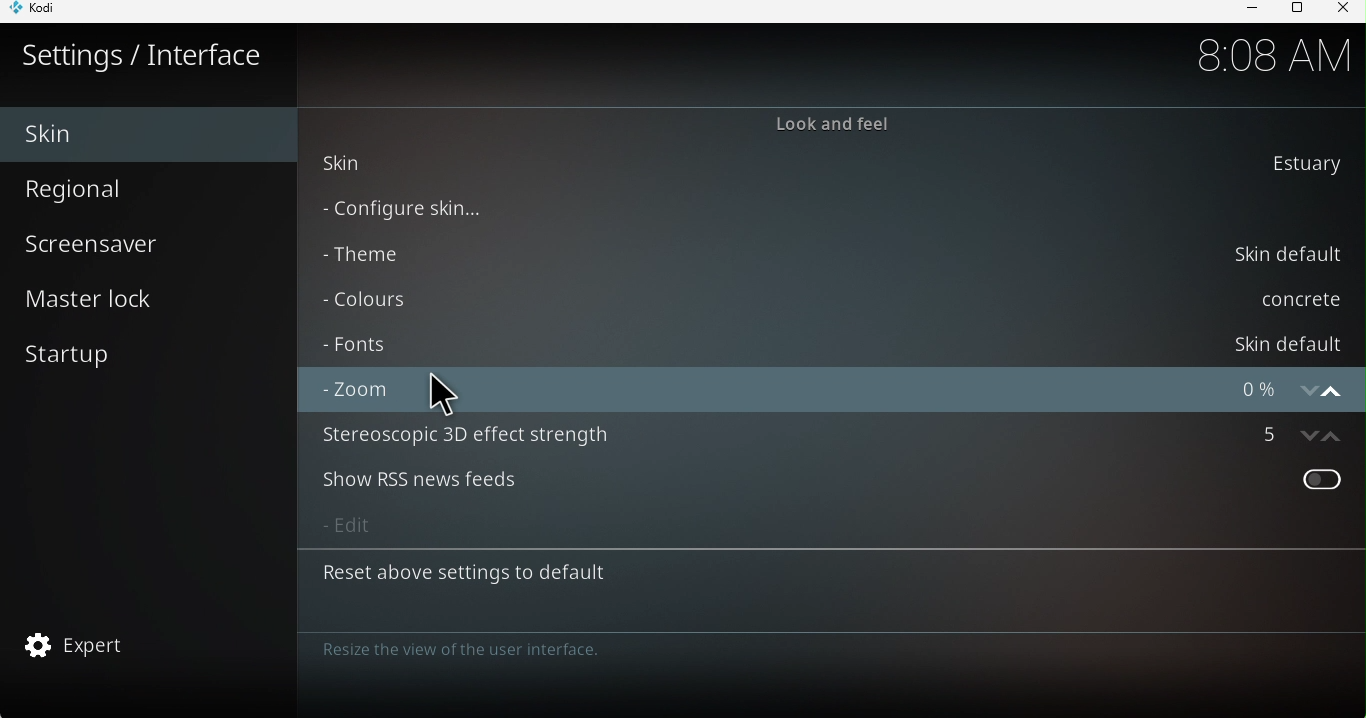 Image resolution: width=1366 pixels, height=718 pixels. I want to click on KODI icon, so click(47, 12).